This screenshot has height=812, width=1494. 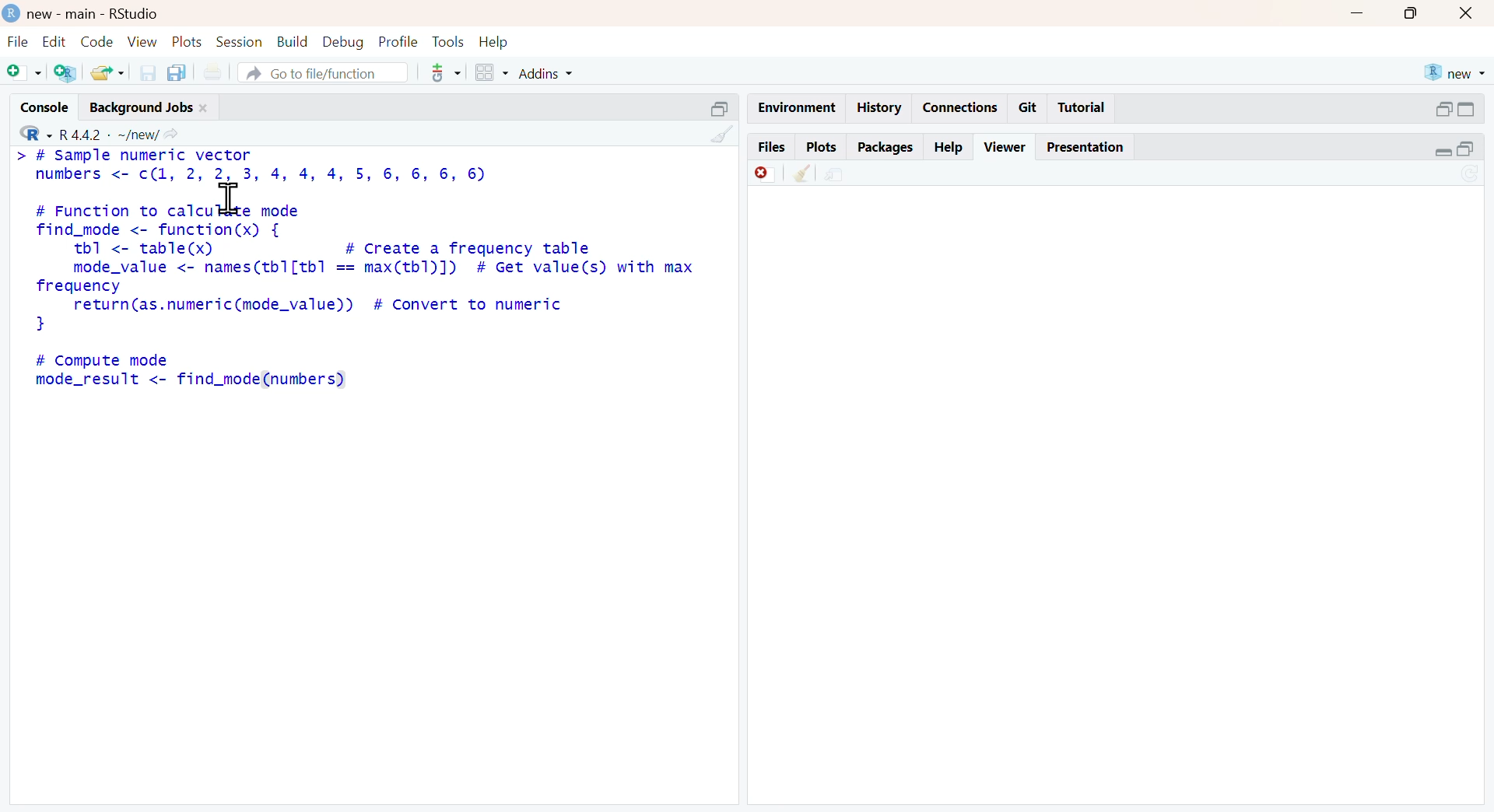 I want to click on save, so click(x=149, y=72).